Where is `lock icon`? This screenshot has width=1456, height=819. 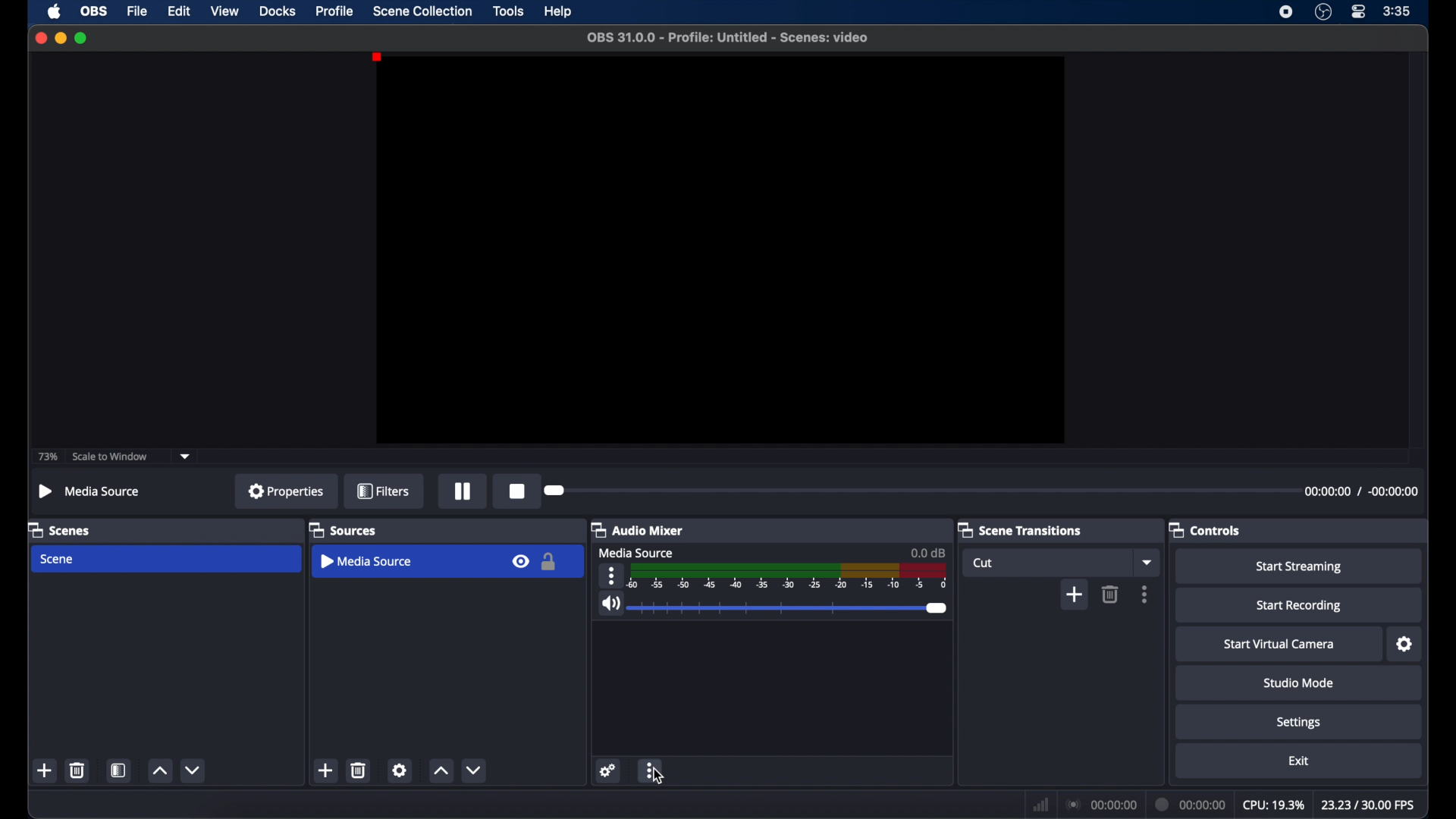
lock icon is located at coordinates (549, 561).